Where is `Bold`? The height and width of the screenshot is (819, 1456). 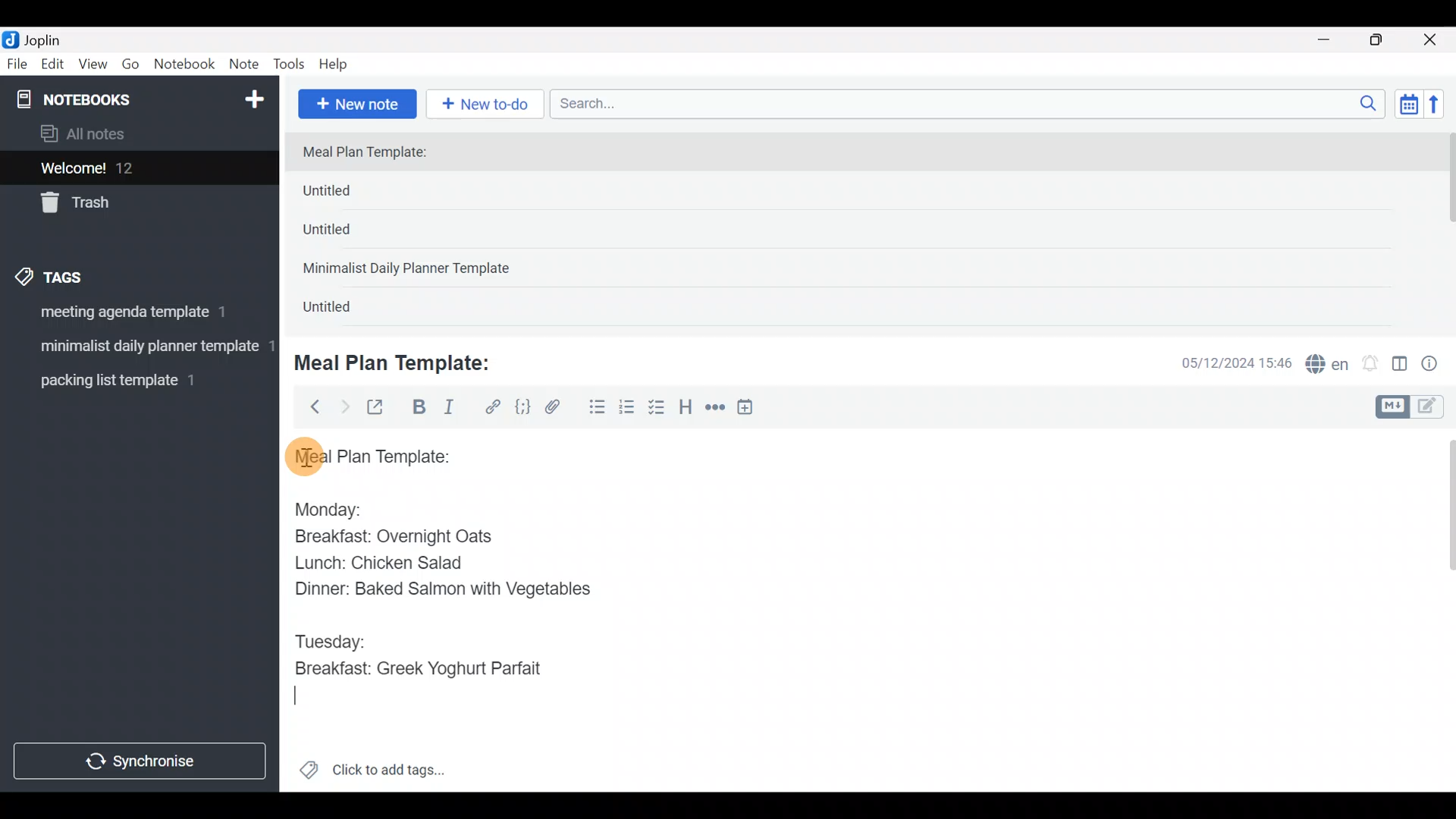
Bold is located at coordinates (418, 409).